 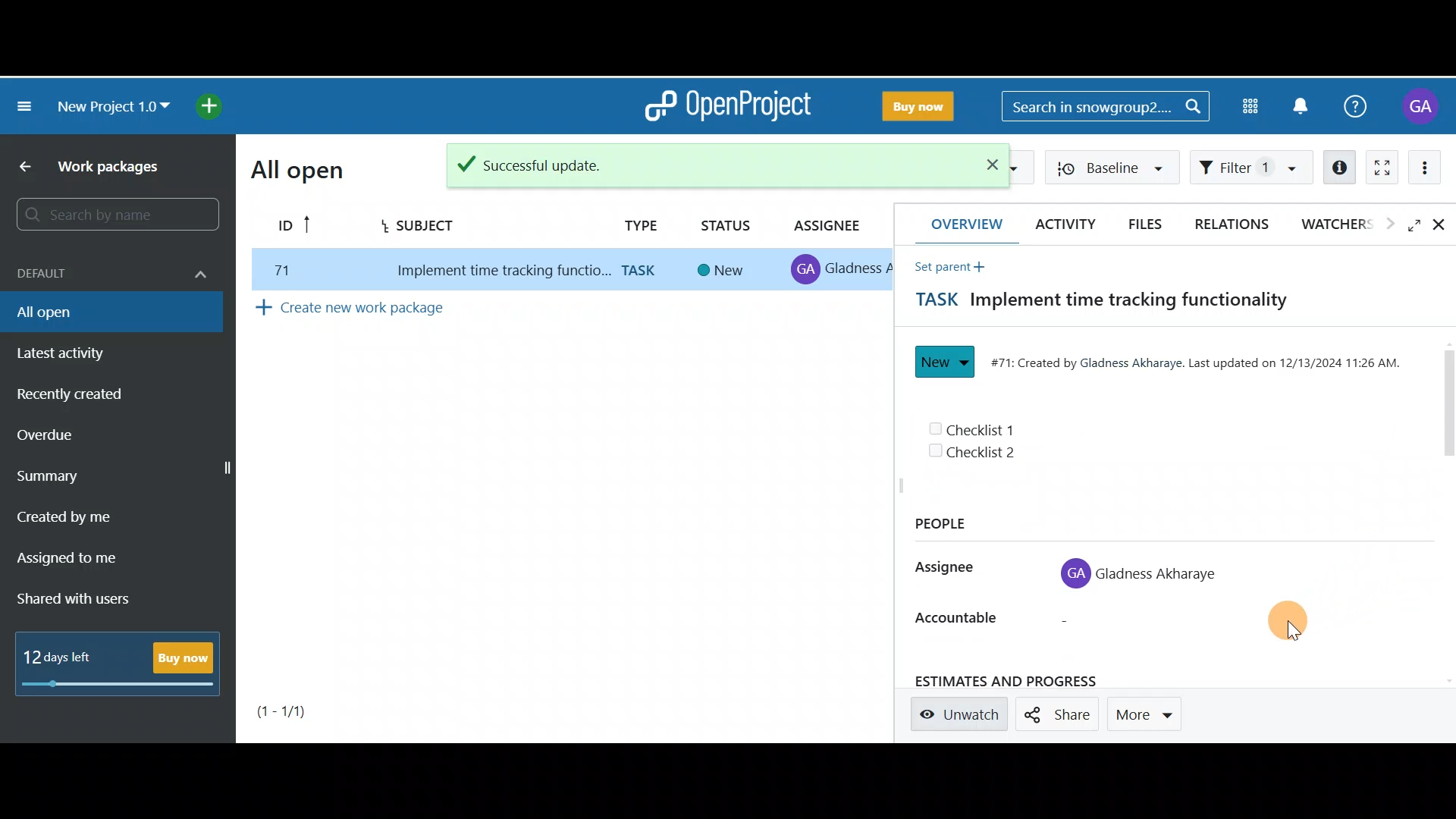 I want to click on Open details view, so click(x=1337, y=165).